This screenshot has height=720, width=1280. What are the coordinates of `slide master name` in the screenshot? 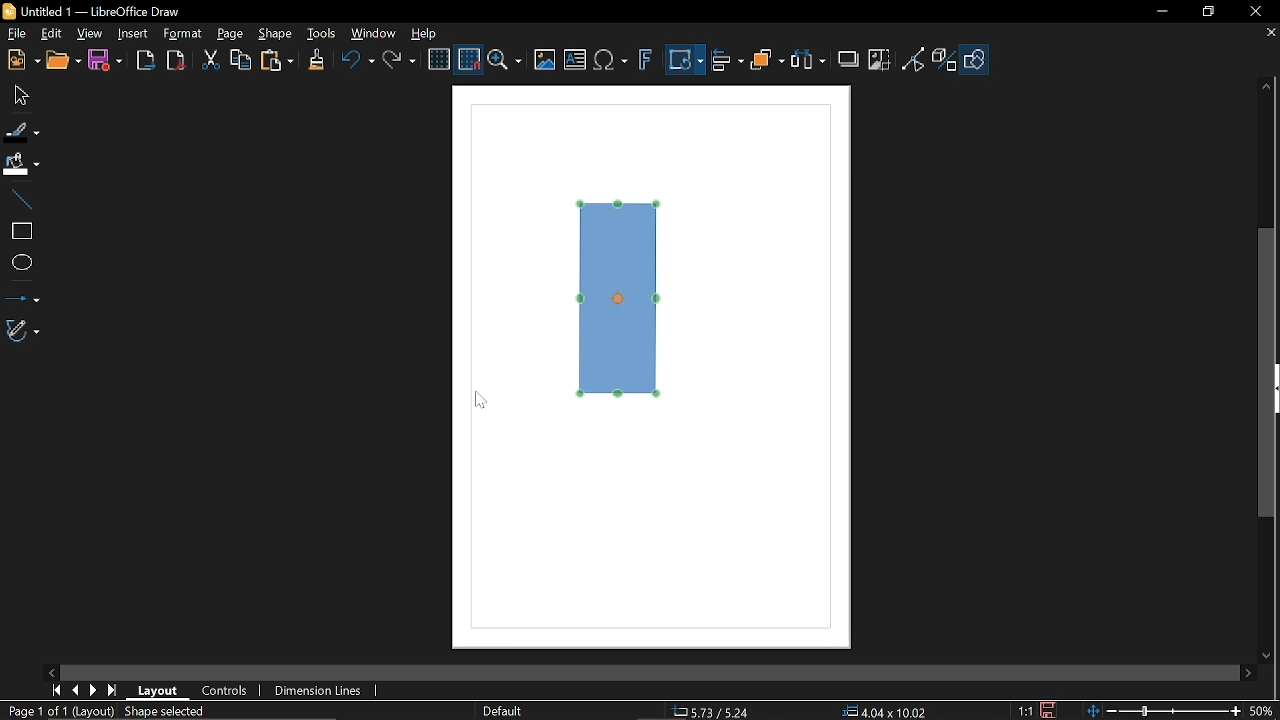 It's located at (504, 710).